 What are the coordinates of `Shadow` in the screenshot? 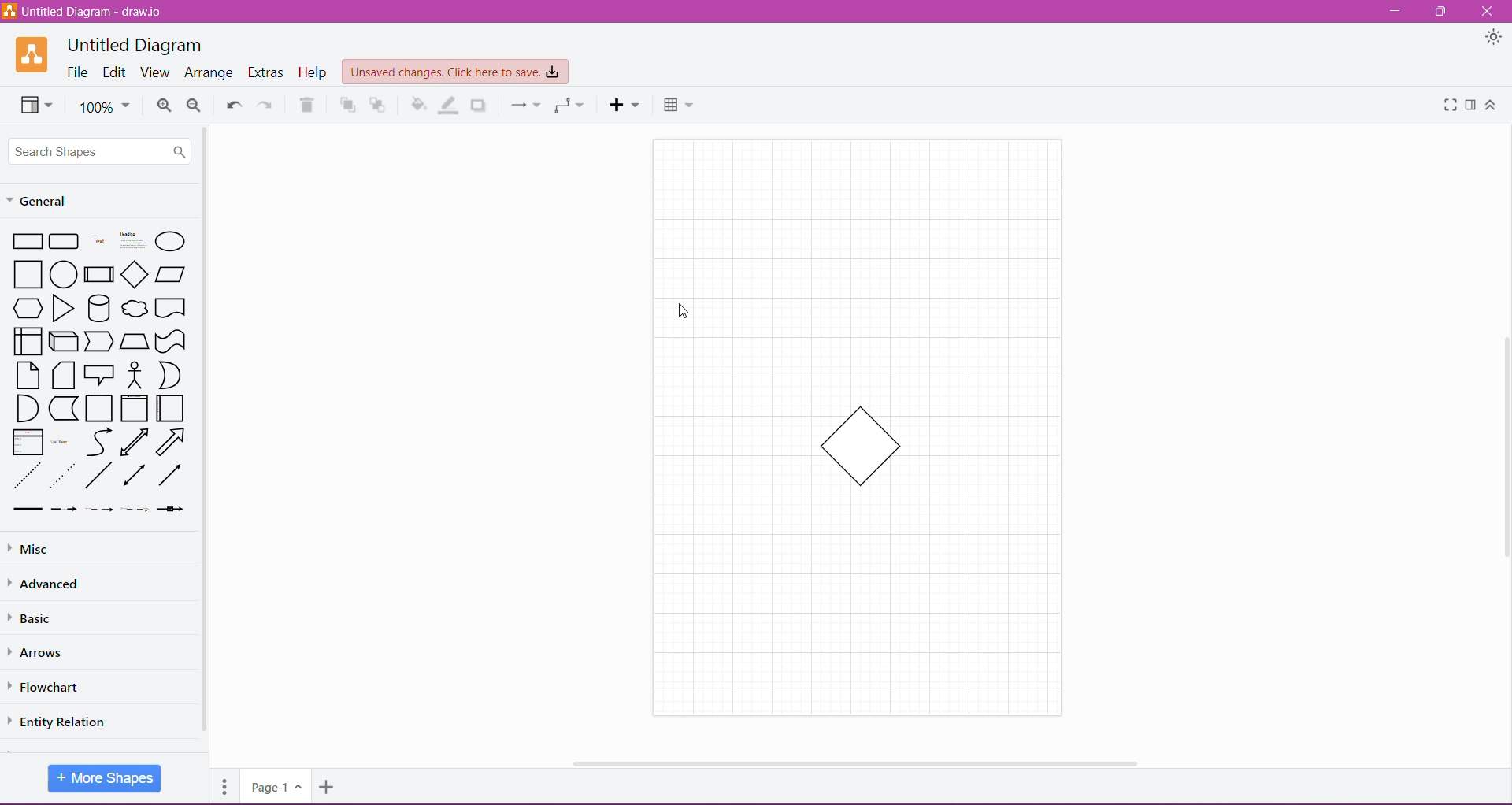 It's located at (480, 106).